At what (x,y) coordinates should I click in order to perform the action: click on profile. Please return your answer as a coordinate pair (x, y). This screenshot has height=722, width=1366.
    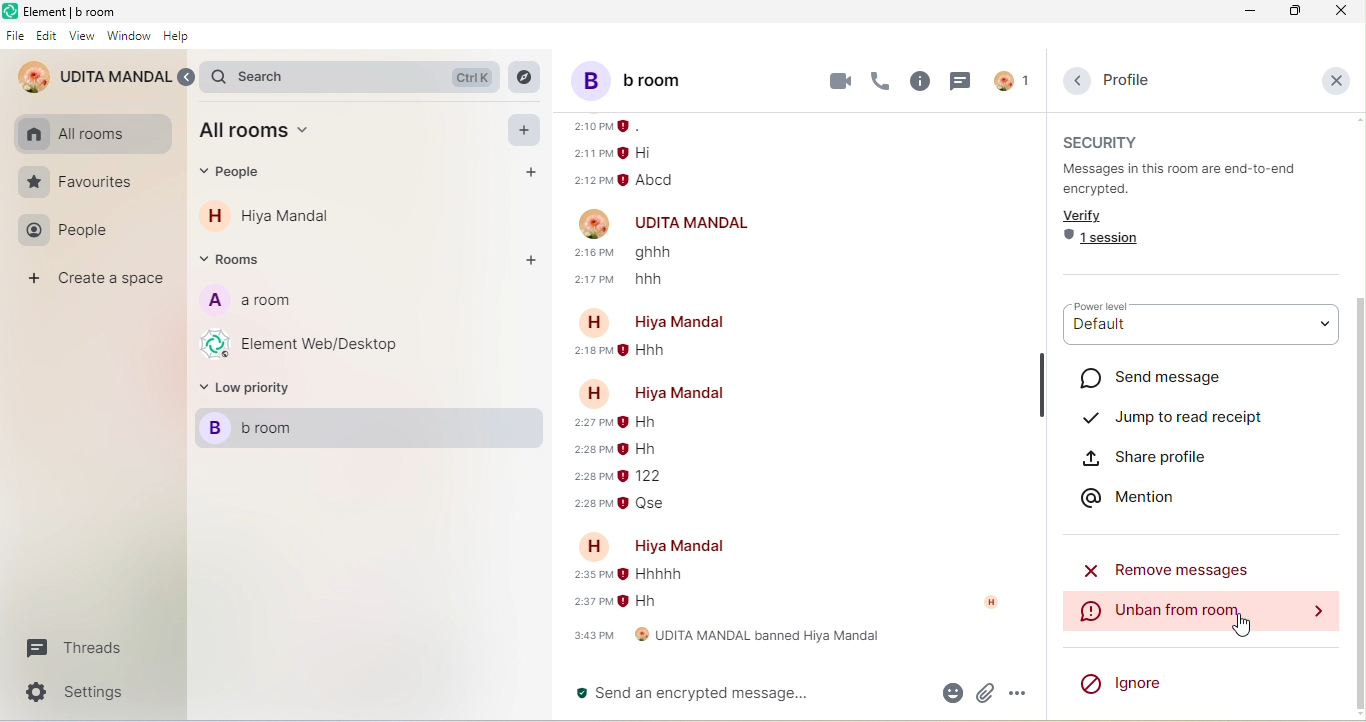
    Looking at the image, I should click on (1124, 80).